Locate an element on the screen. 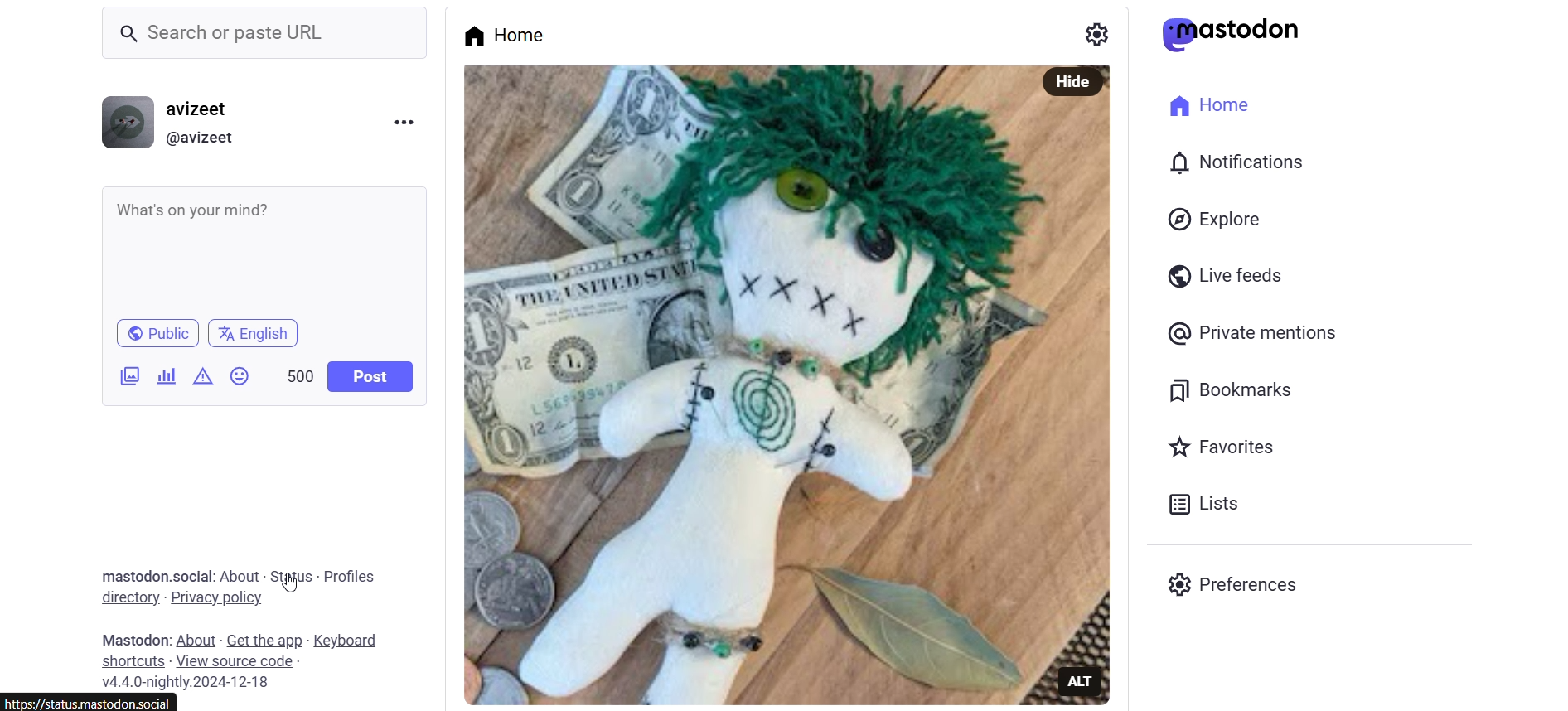 This screenshot has width=1568, height=711. view source code is located at coordinates (239, 660).